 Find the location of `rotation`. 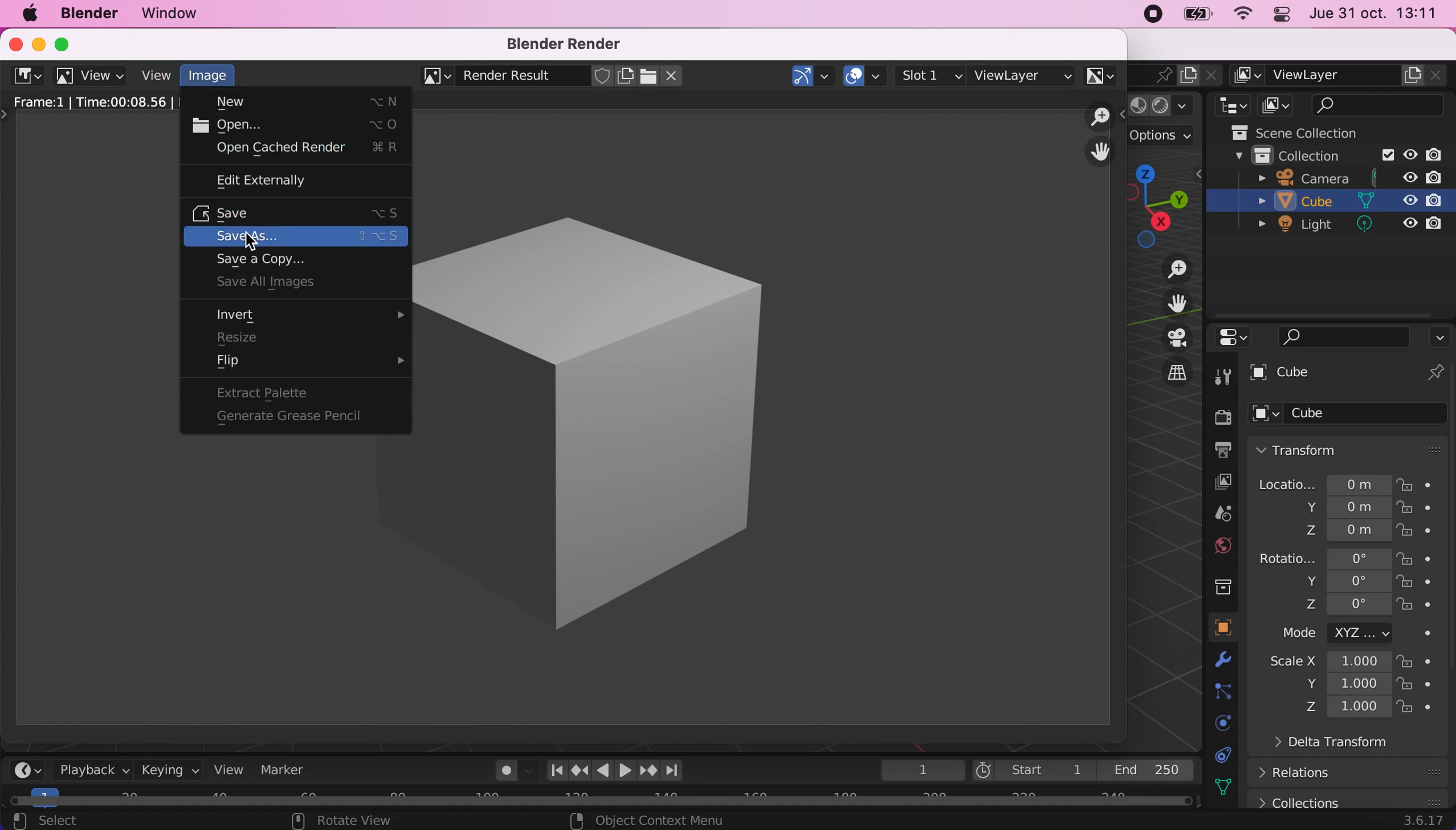

rotation is located at coordinates (1323, 557).